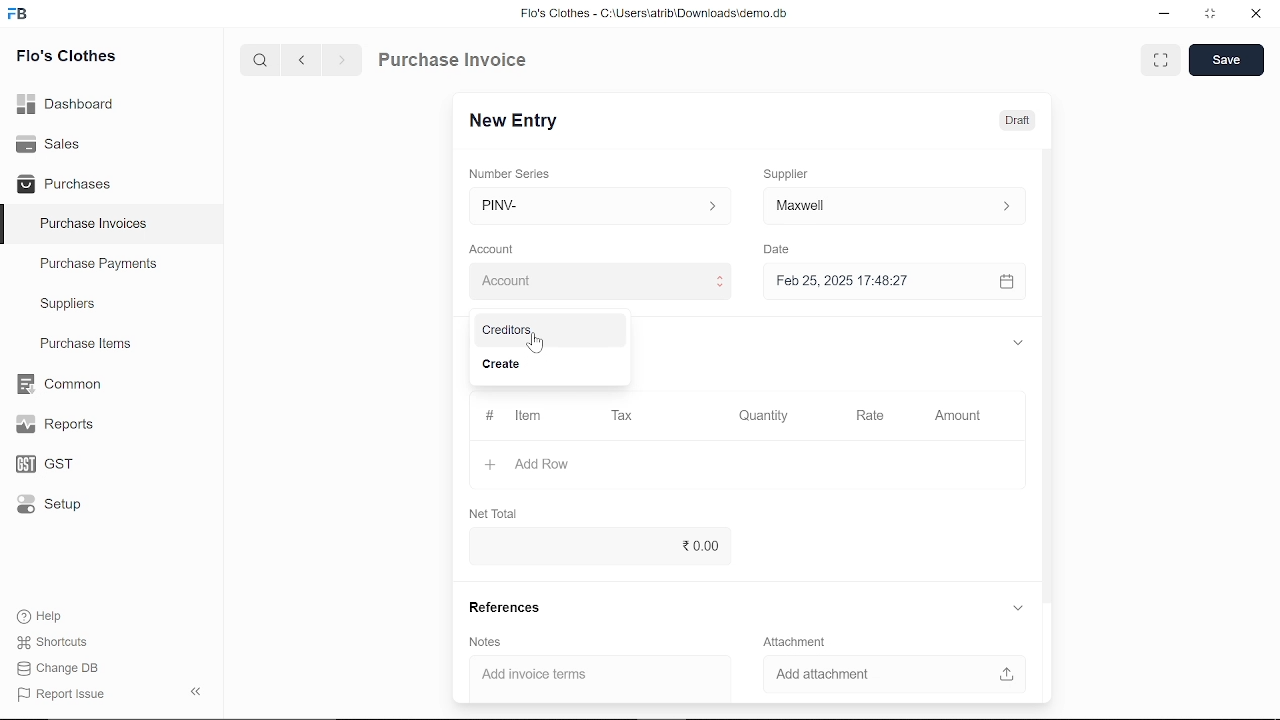 This screenshot has height=720, width=1280. I want to click on Sales, so click(48, 142).